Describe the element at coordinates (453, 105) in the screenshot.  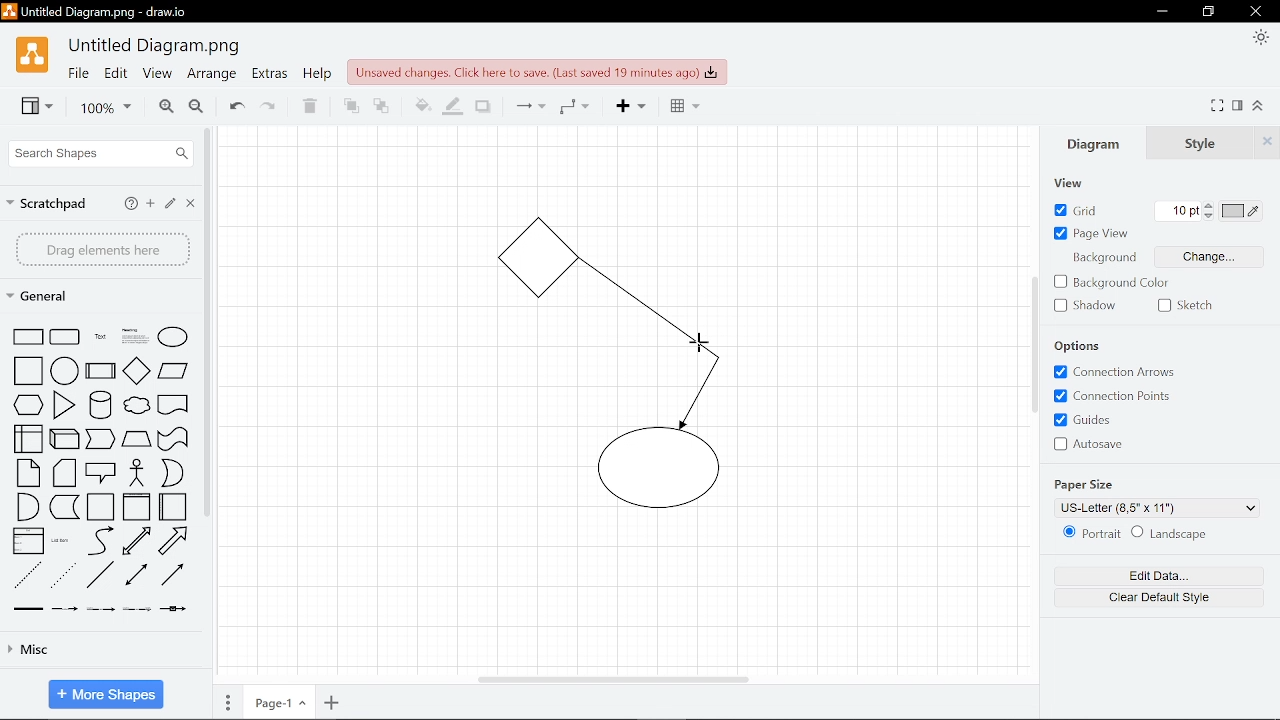
I see `Fill color` at that location.